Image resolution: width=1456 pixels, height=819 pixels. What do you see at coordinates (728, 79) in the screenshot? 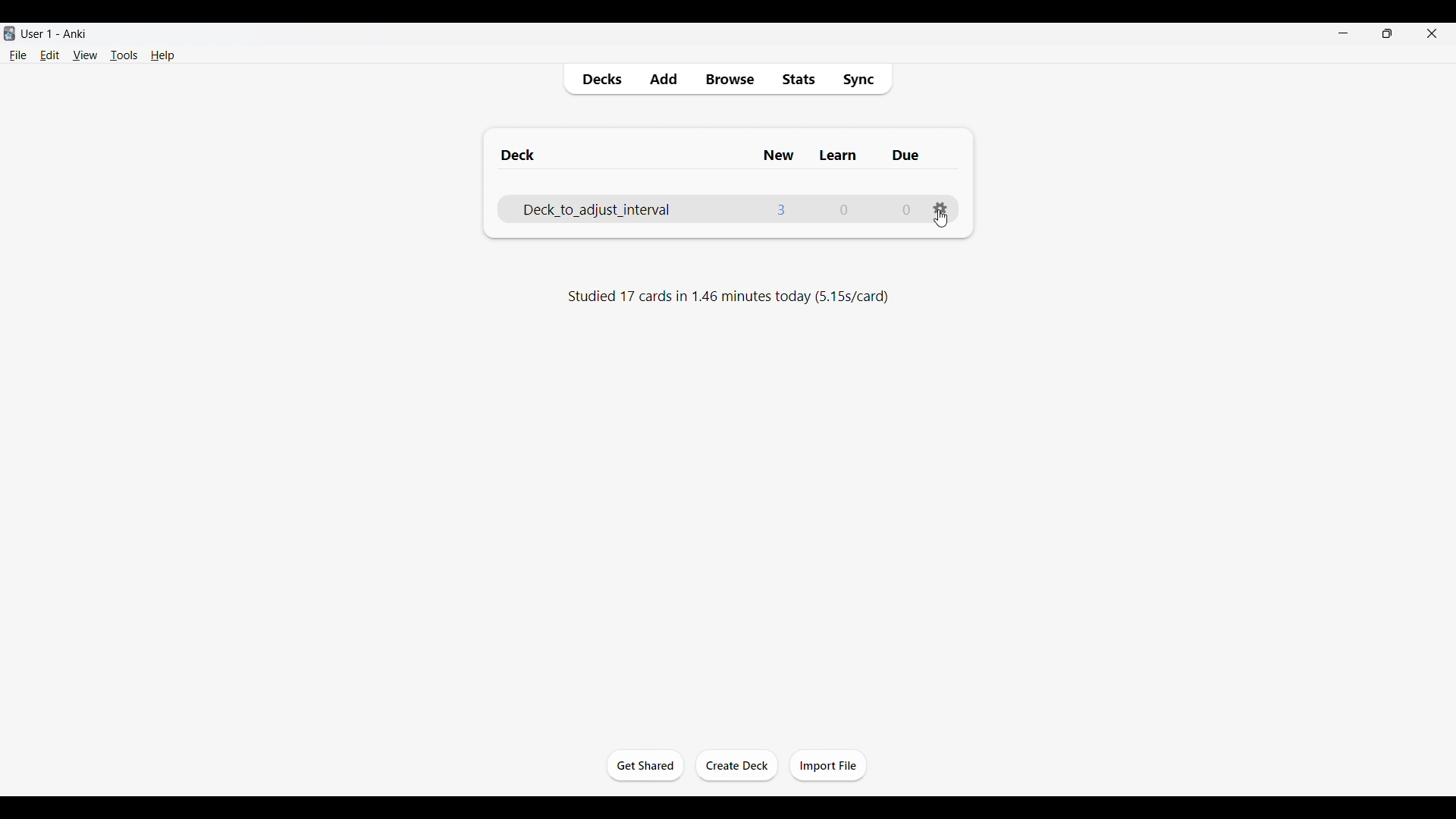
I see `Browse ` at bounding box center [728, 79].